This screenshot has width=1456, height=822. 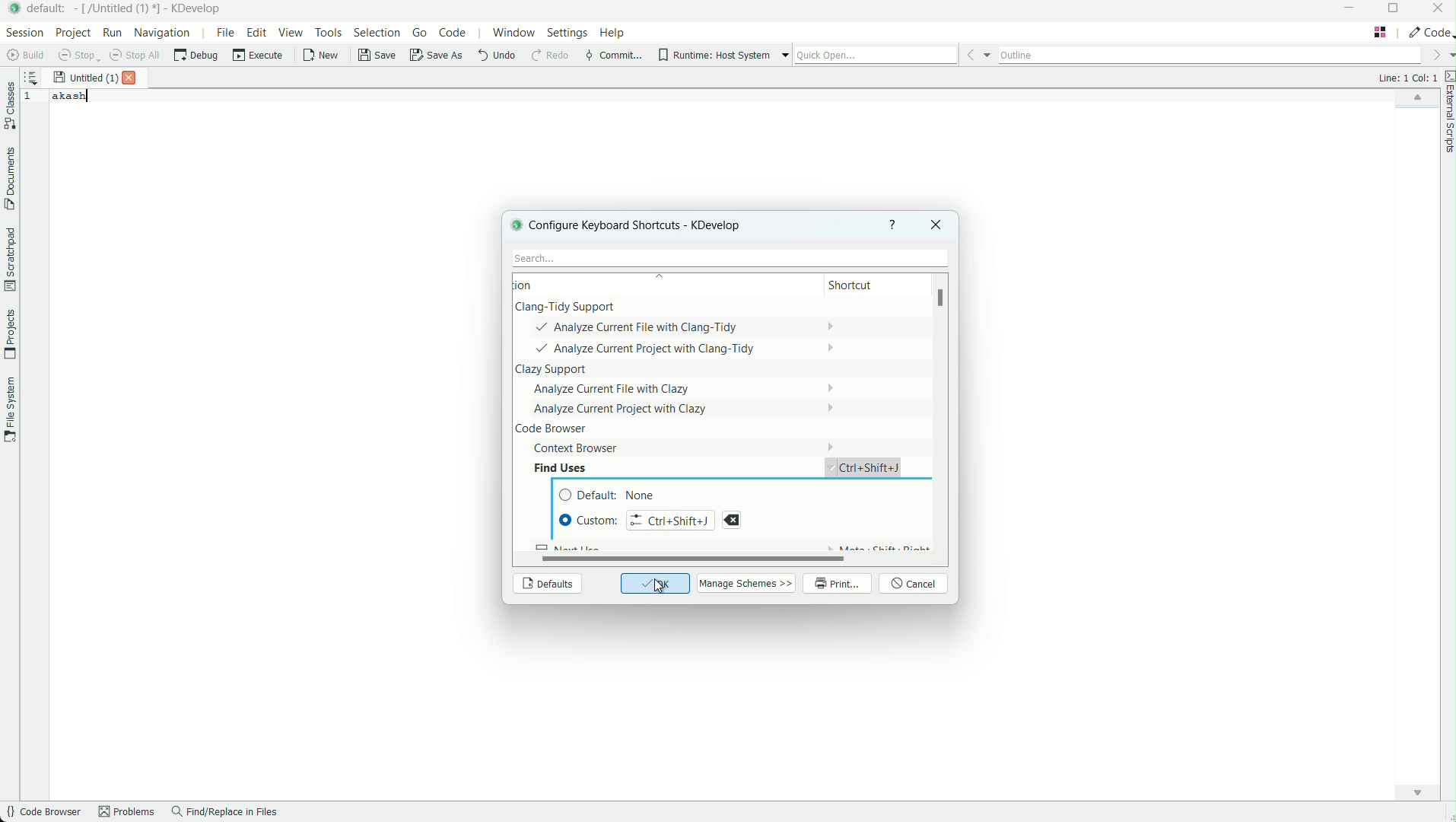 I want to click on manage schemes, so click(x=748, y=583).